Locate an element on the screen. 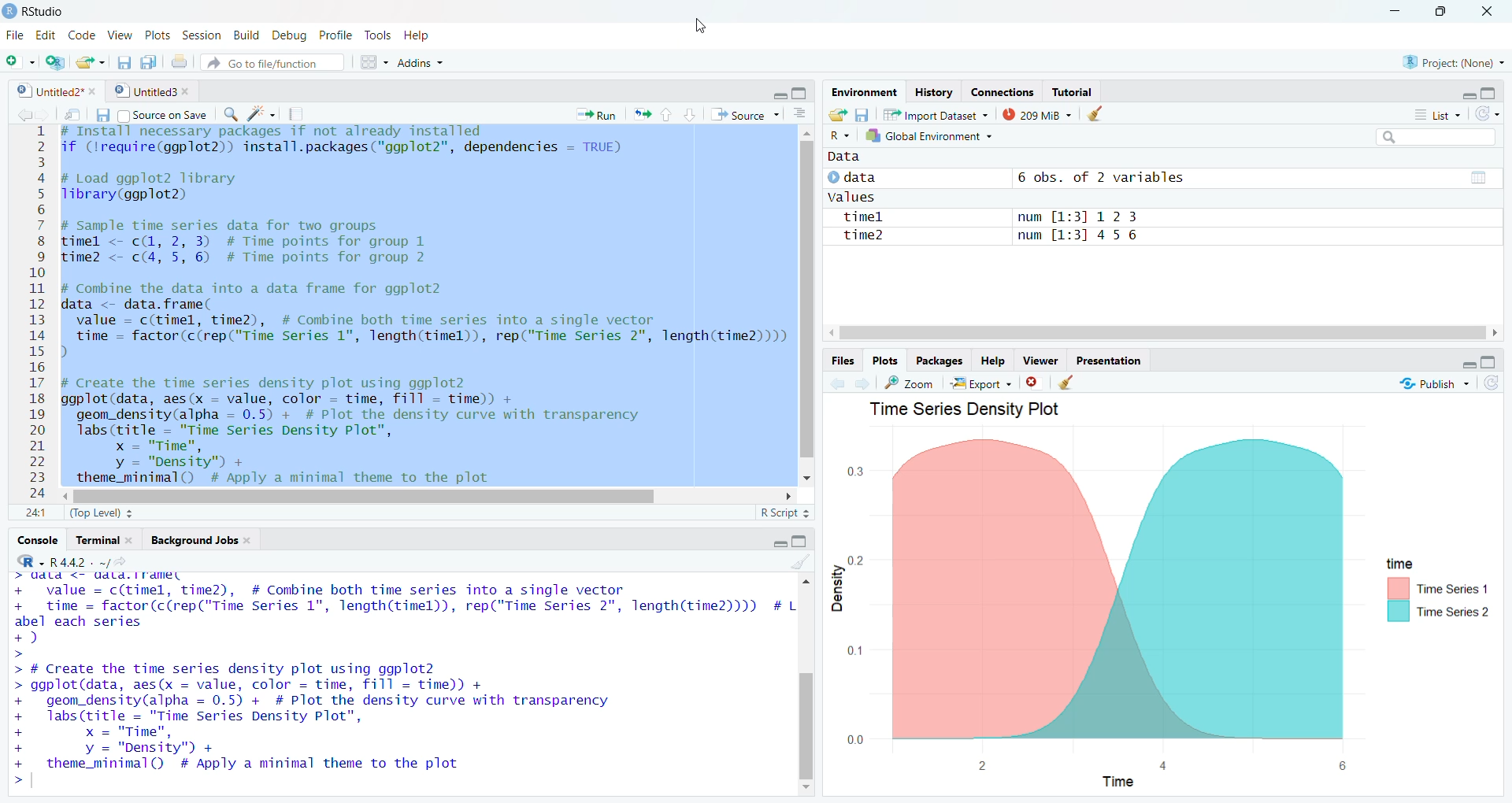 Image resolution: width=1512 pixels, height=803 pixels. Source is located at coordinates (743, 114).